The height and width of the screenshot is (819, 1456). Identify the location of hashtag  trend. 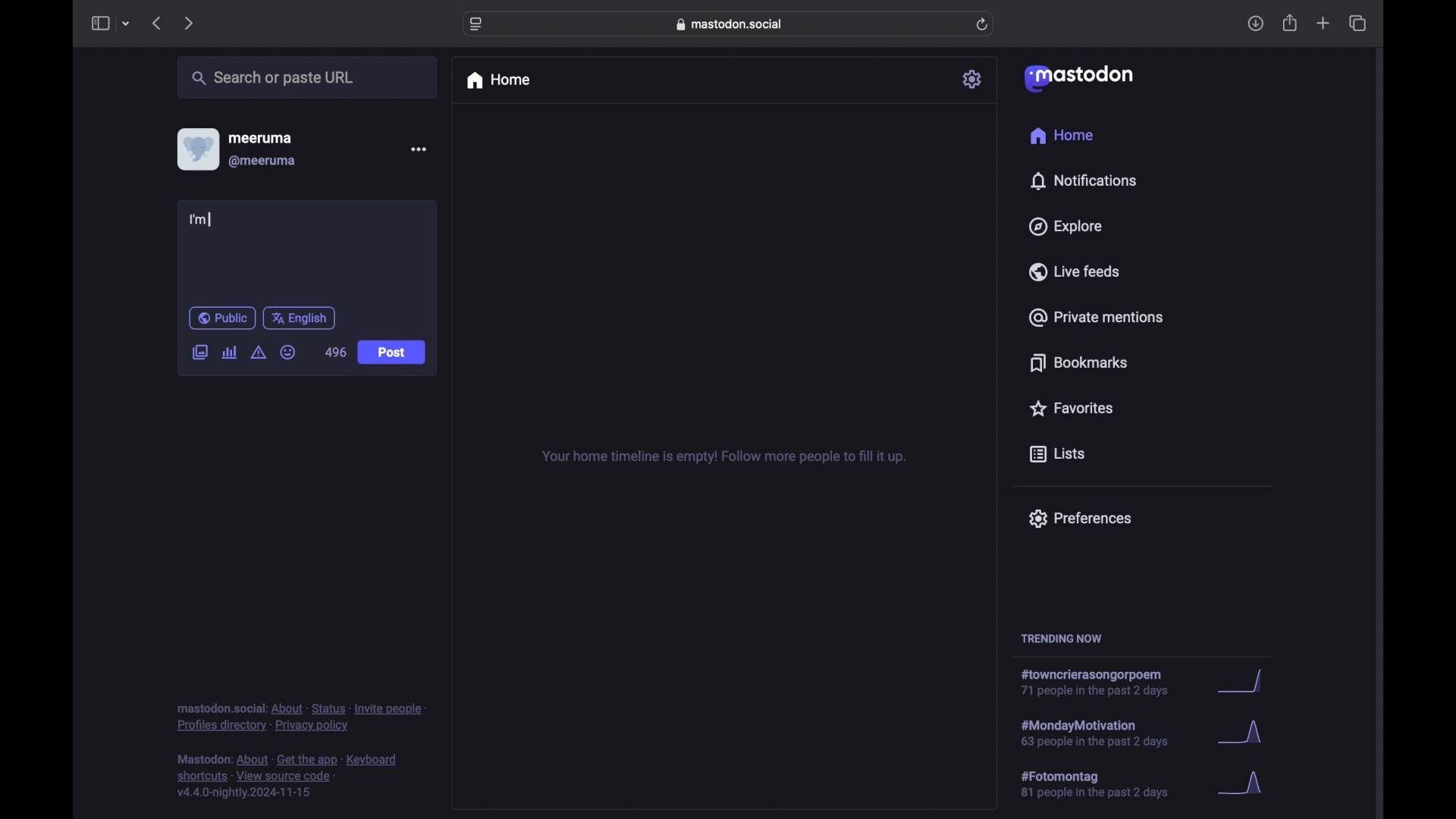
(1109, 732).